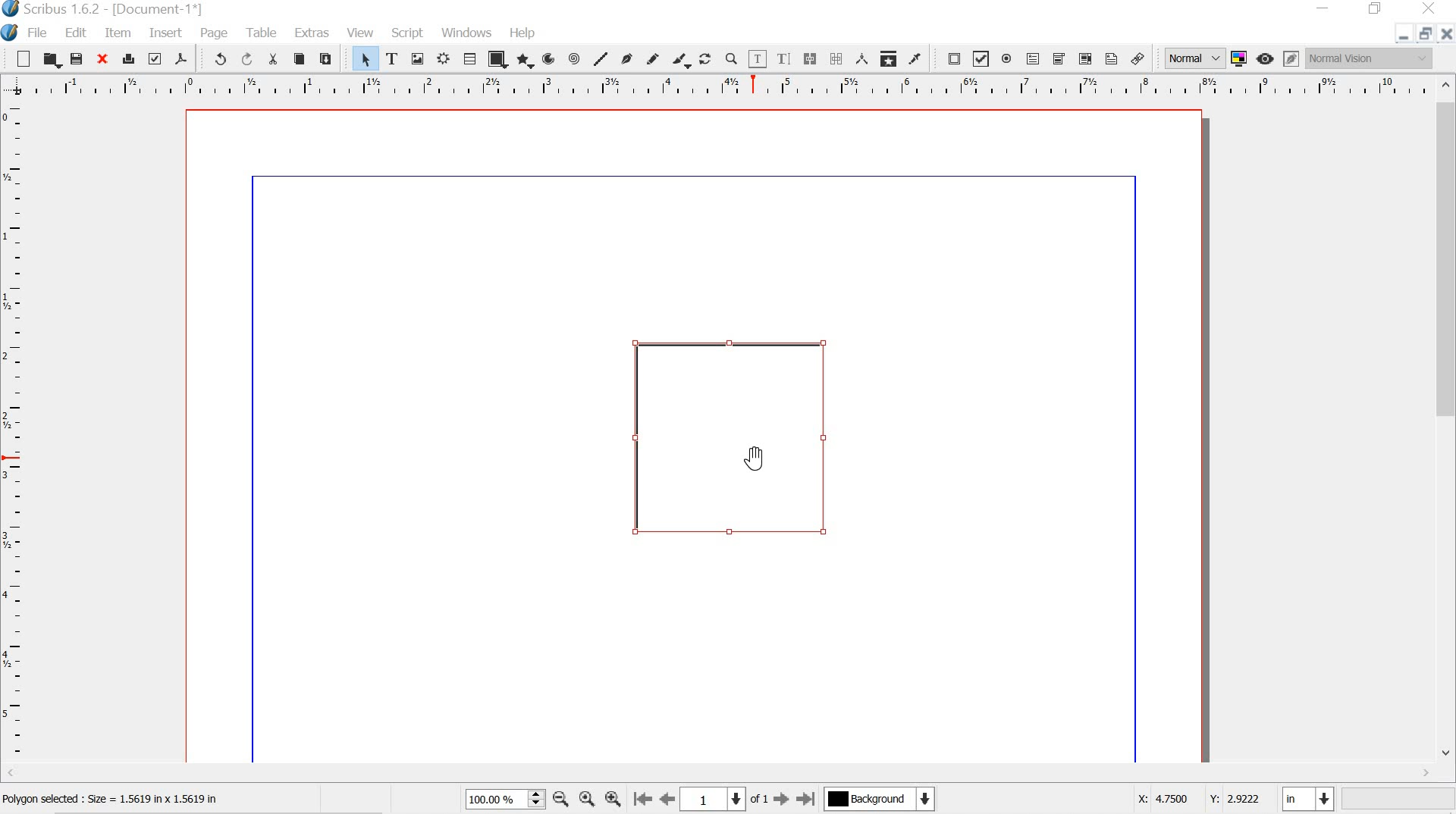  I want to click on select item, so click(365, 58).